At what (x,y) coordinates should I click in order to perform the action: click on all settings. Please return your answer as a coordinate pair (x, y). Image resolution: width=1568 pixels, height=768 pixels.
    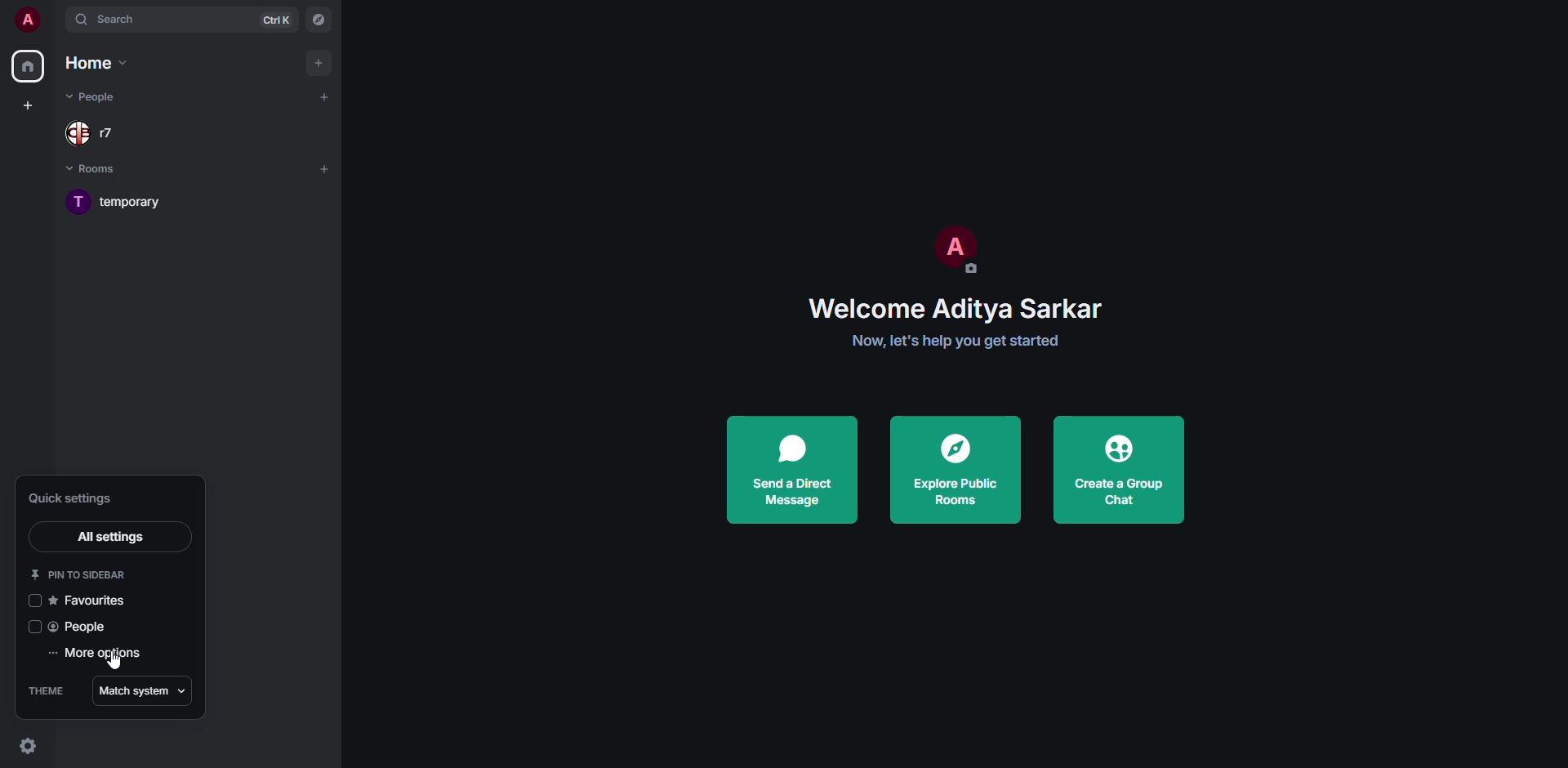
    Looking at the image, I should click on (114, 537).